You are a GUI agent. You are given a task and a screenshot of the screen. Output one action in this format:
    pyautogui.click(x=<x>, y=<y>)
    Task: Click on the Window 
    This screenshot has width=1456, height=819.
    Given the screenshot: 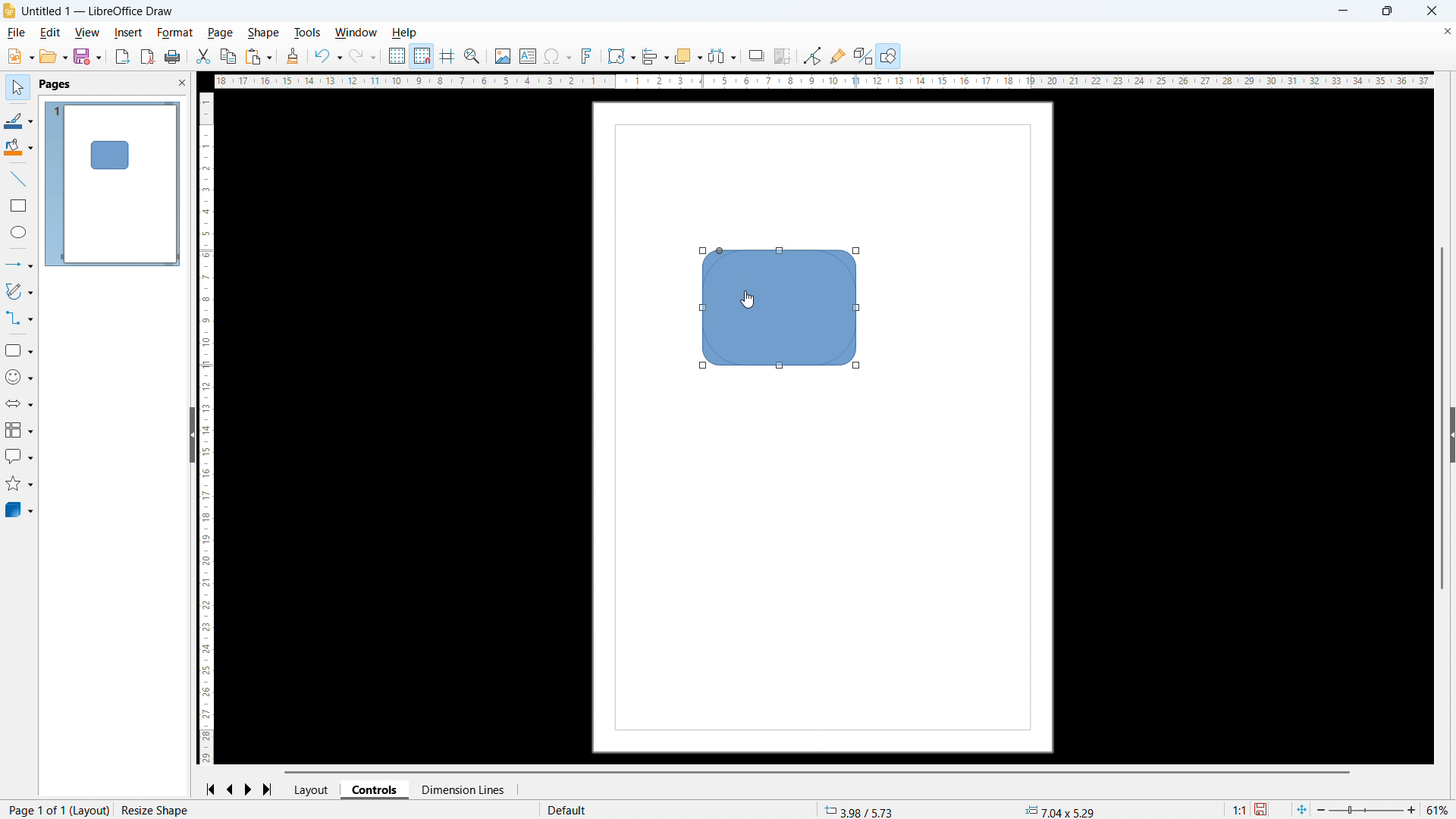 What is the action you would take?
    pyautogui.click(x=356, y=32)
    